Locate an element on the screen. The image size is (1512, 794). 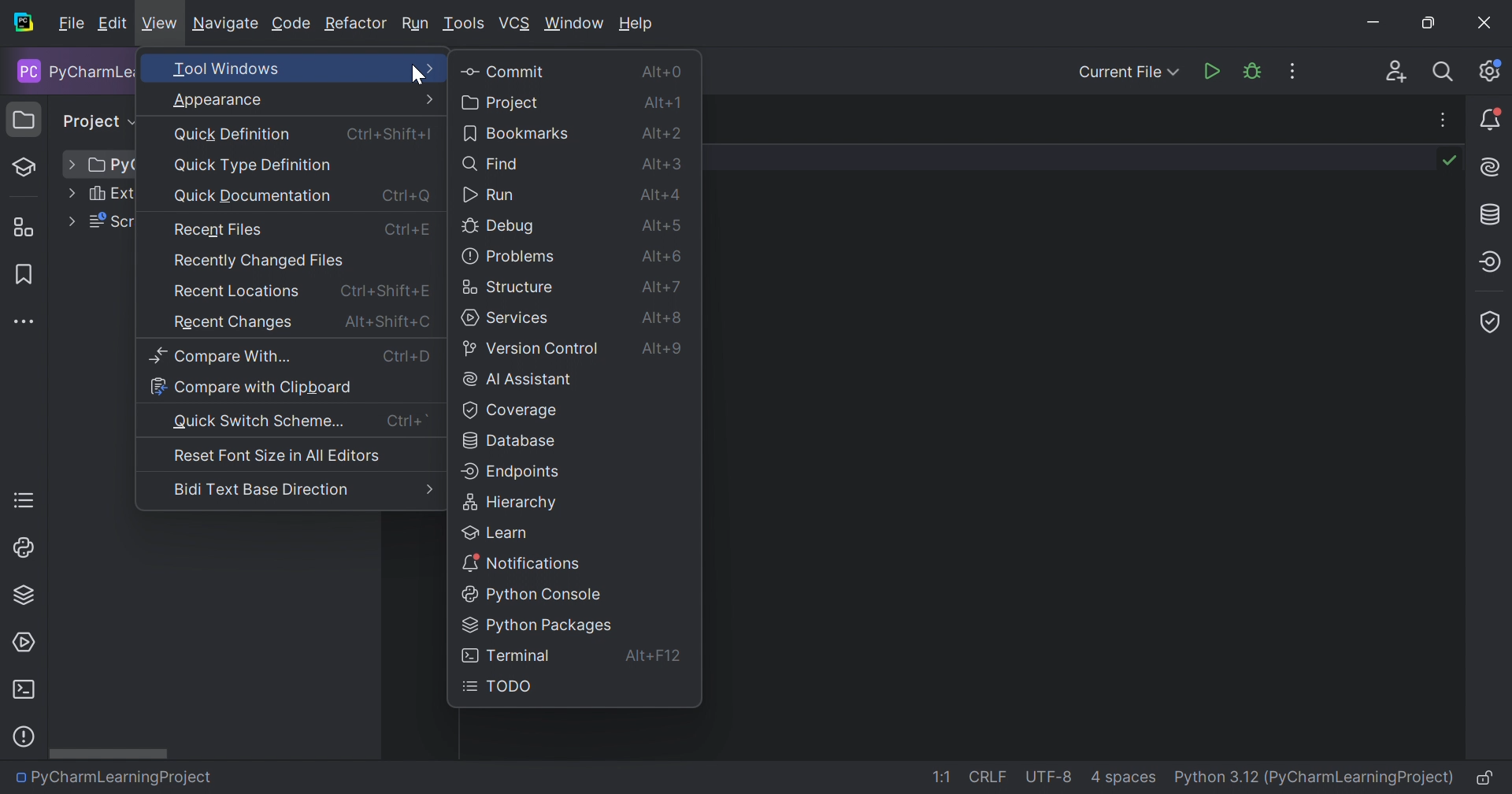
Run is located at coordinates (417, 24).